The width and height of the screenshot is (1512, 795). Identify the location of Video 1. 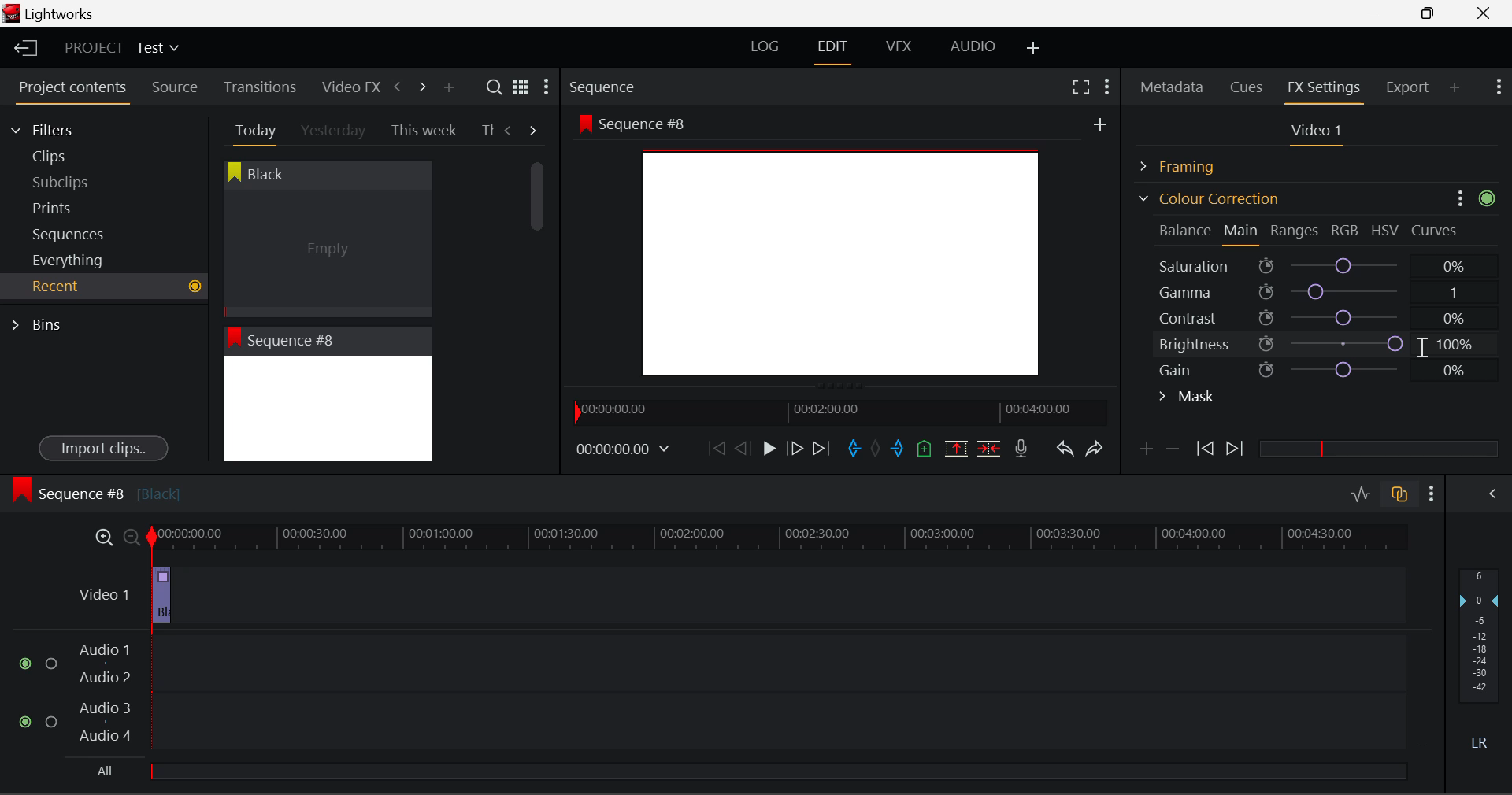
(104, 591).